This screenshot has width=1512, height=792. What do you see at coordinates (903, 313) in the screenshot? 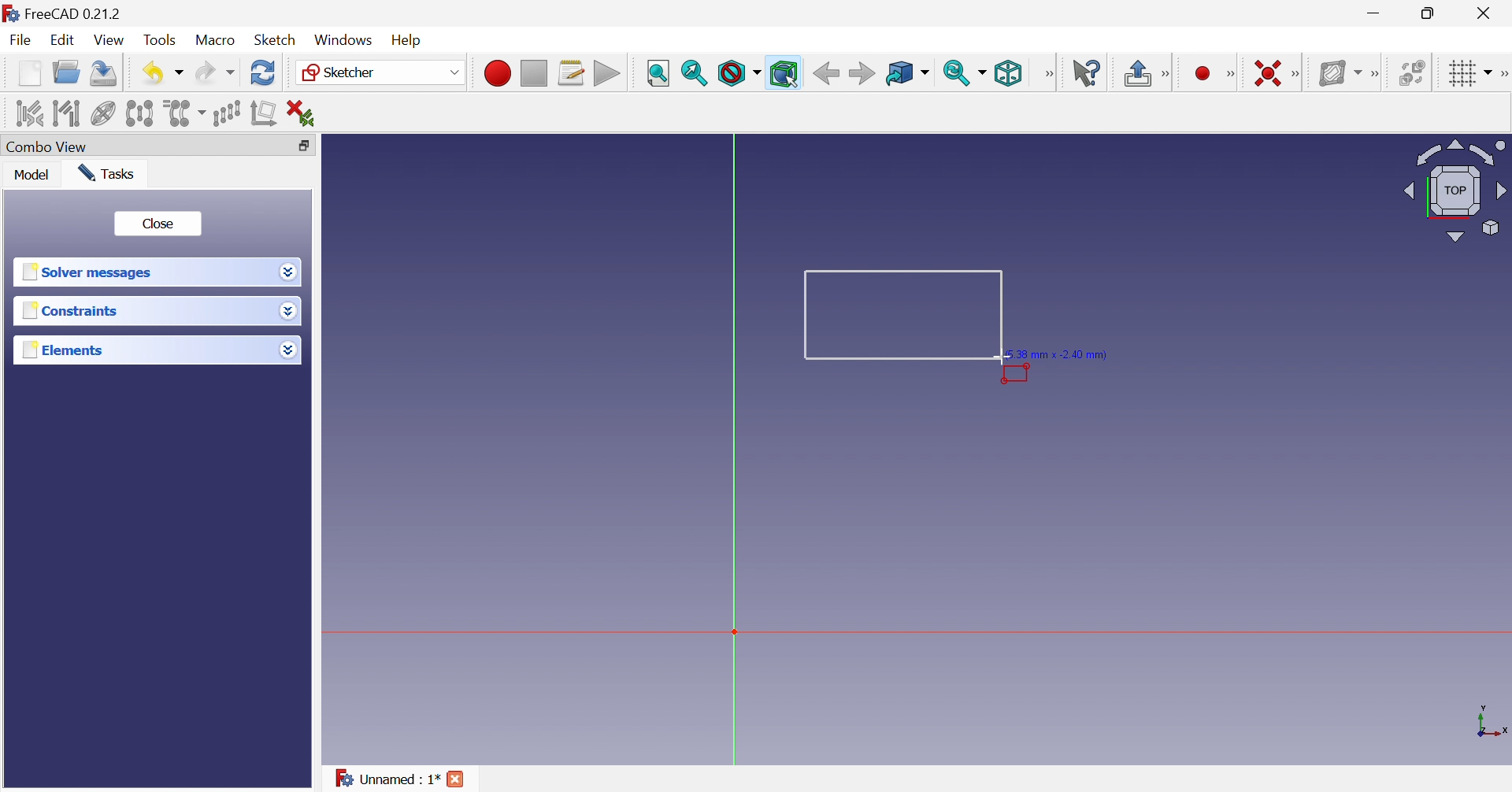
I see `Rectangle` at bounding box center [903, 313].